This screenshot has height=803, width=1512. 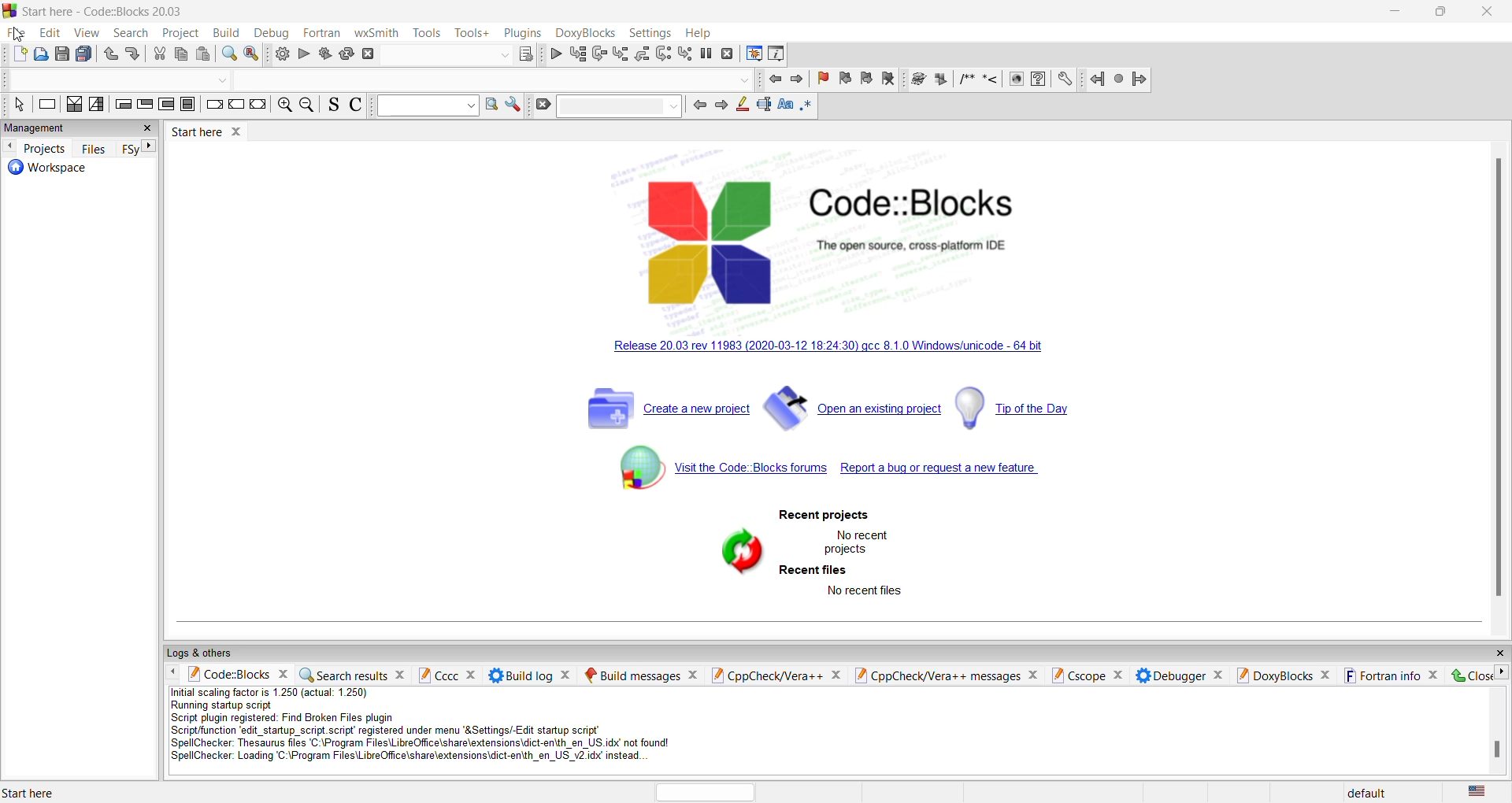 I want to click on language, so click(x=1476, y=792).